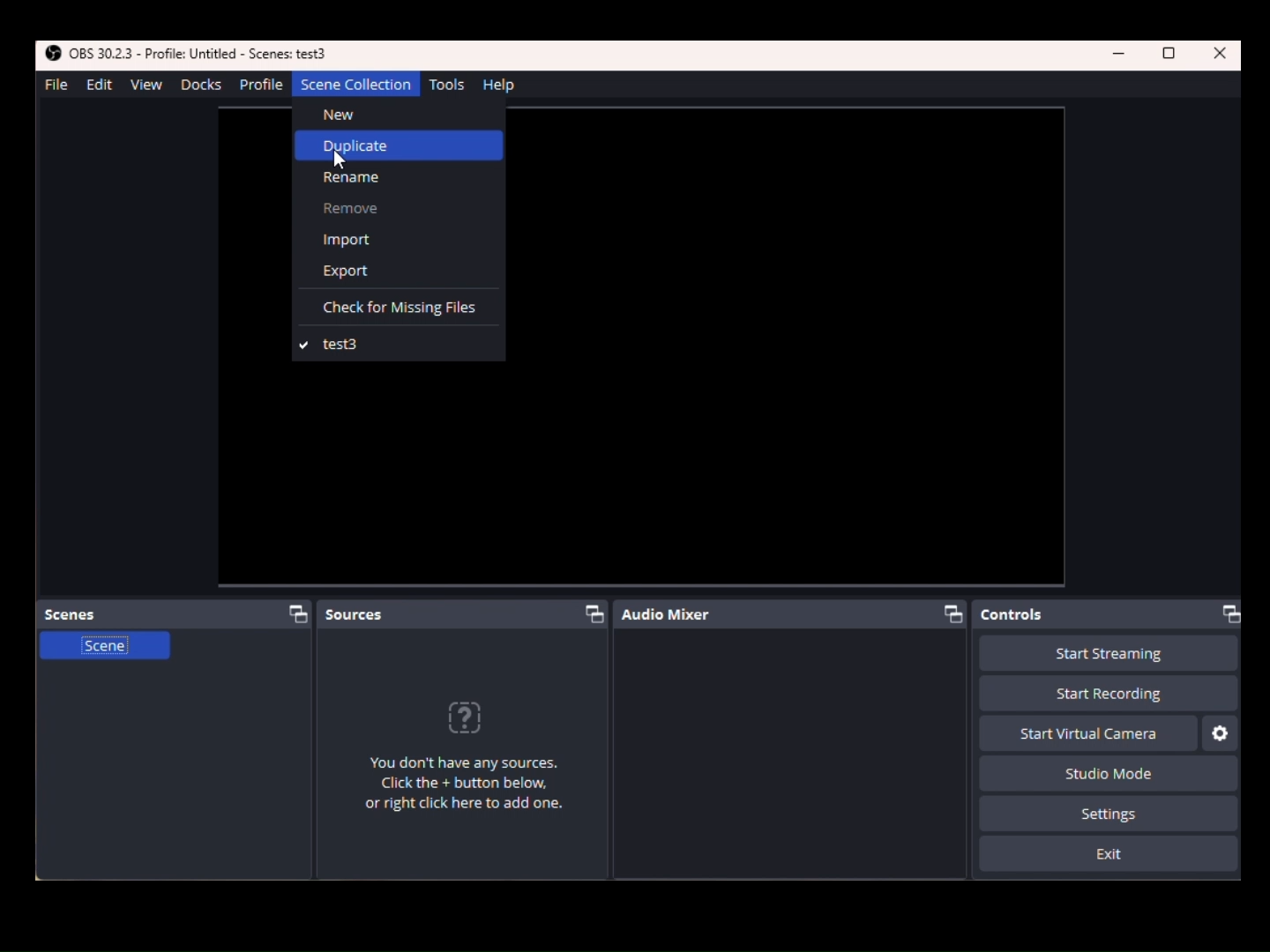 This screenshot has width=1270, height=952. Describe the element at coordinates (1112, 614) in the screenshot. I see `Controls` at that location.